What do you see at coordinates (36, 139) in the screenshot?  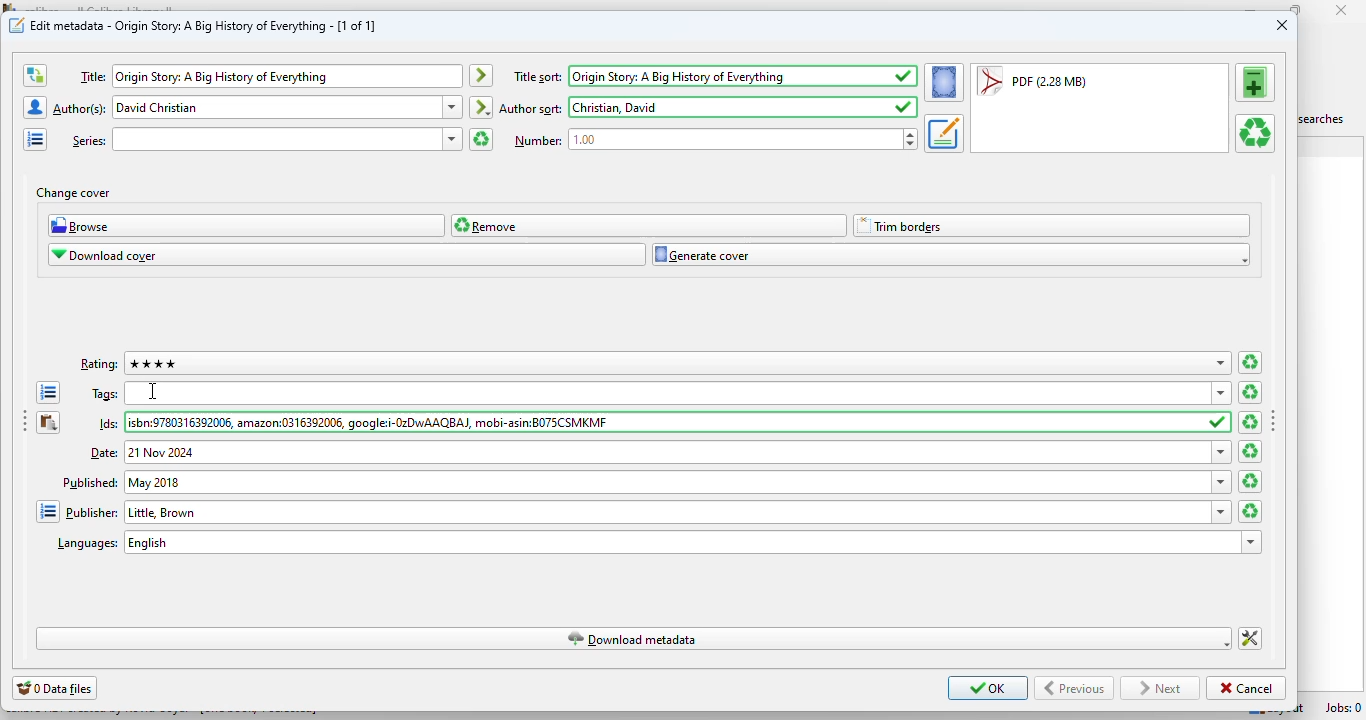 I see `open the manage series editor` at bounding box center [36, 139].